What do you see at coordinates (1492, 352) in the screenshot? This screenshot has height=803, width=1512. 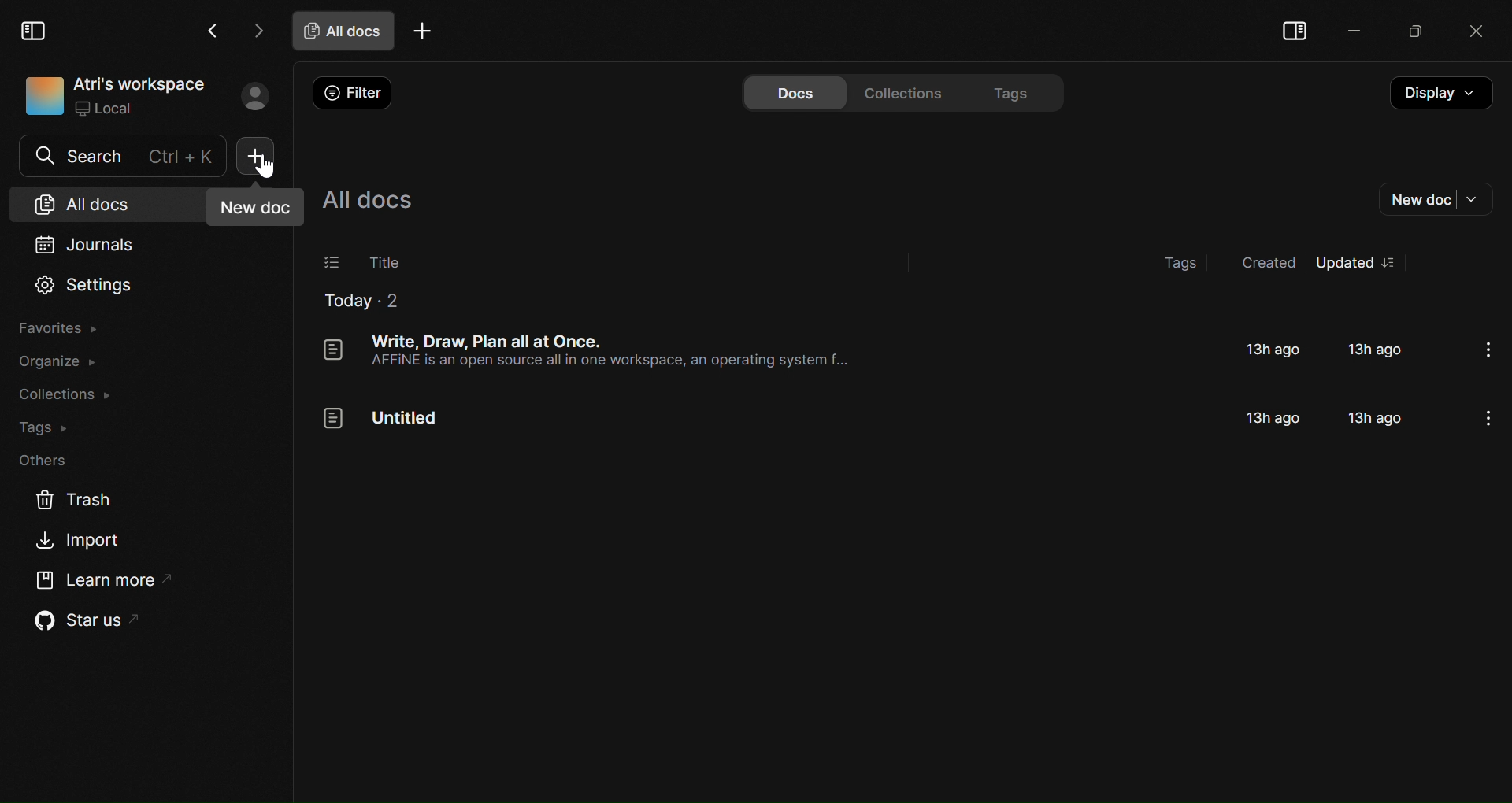 I see `options` at bounding box center [1492, 352].